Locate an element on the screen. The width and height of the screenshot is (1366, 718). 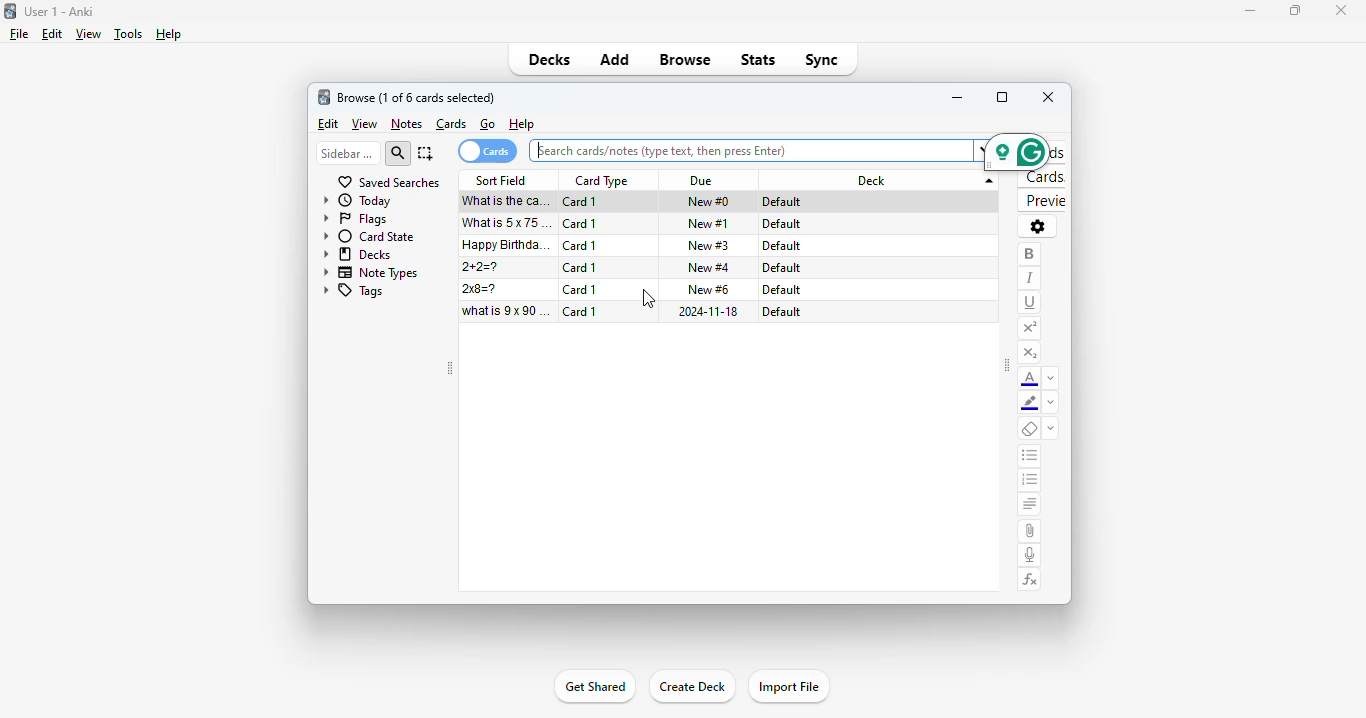
alignment is located at coordinates (1029, 506).